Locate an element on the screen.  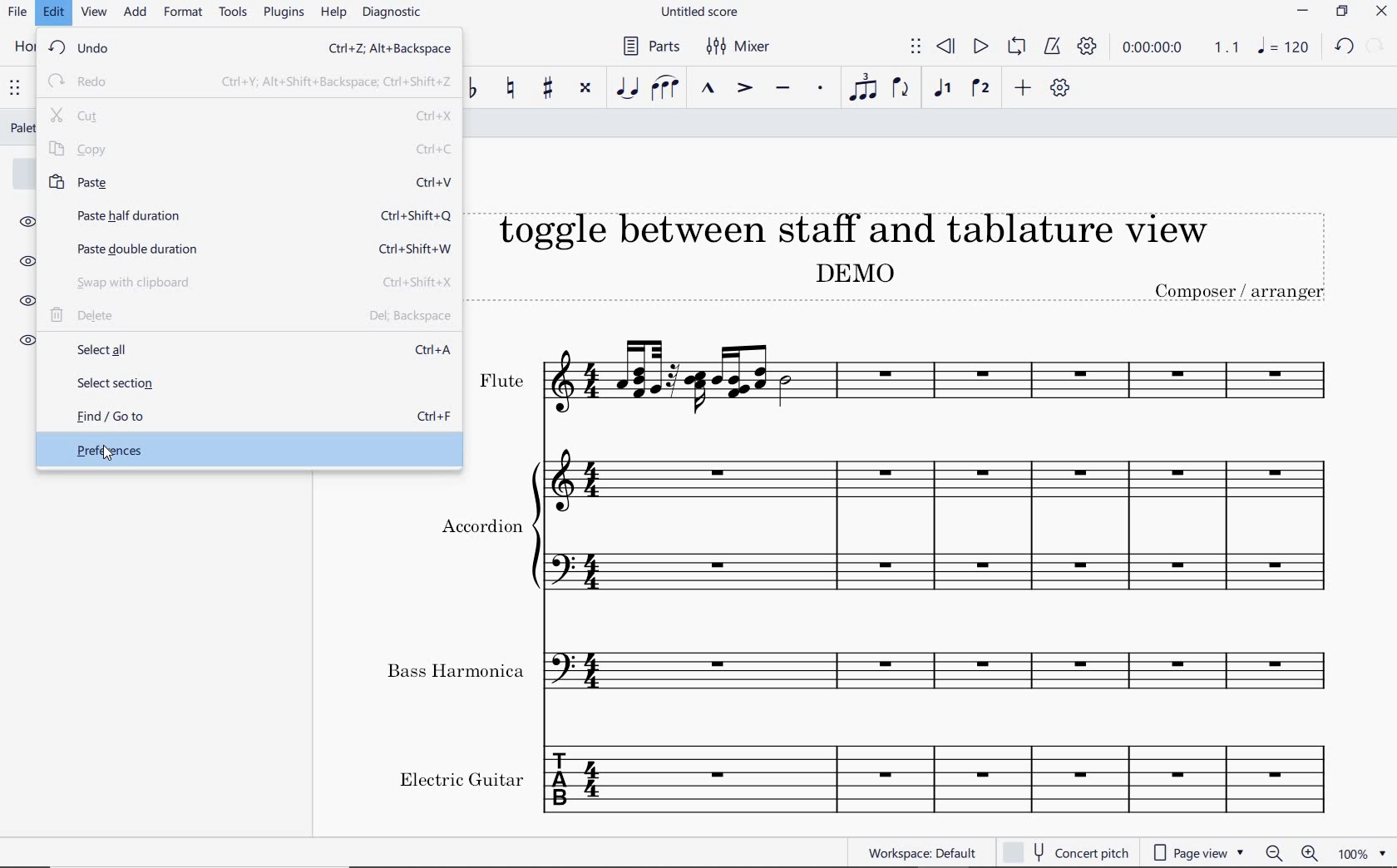
workspace: default is located at coordinates (923, 852).